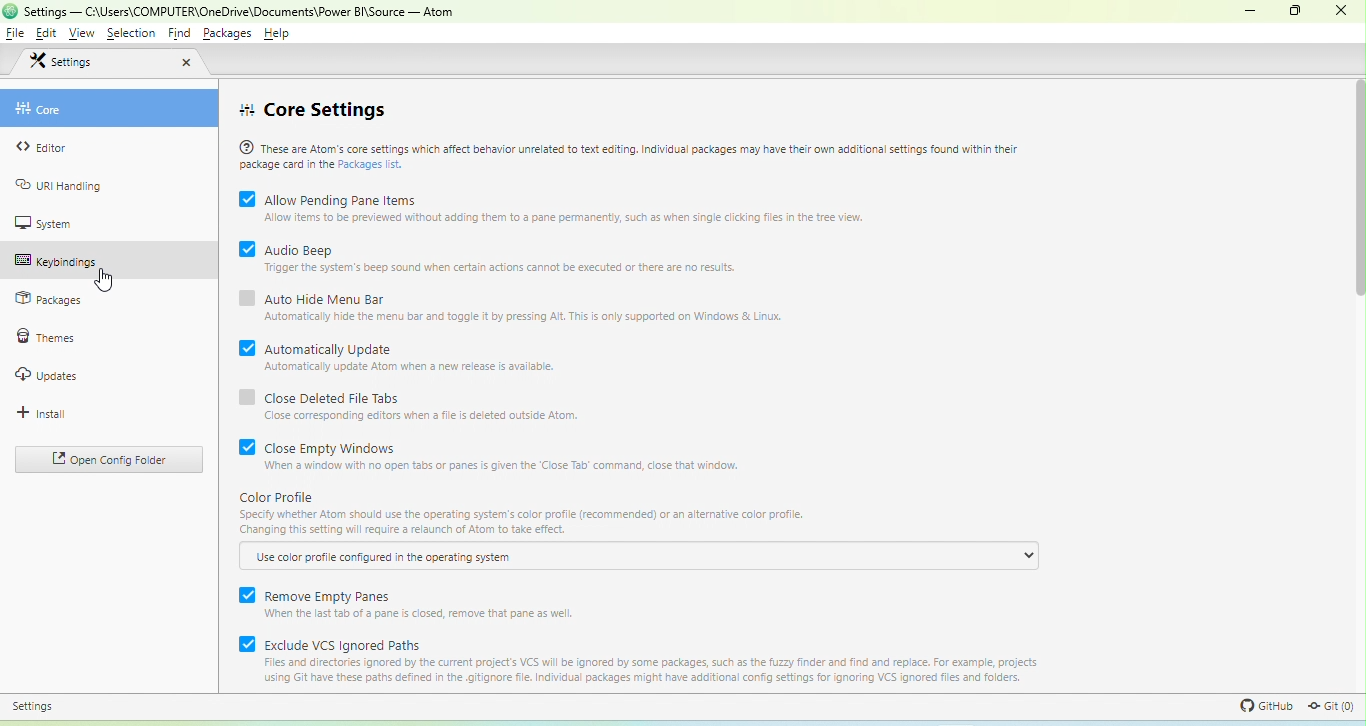  I want to click on cursor, so click(103, 283).